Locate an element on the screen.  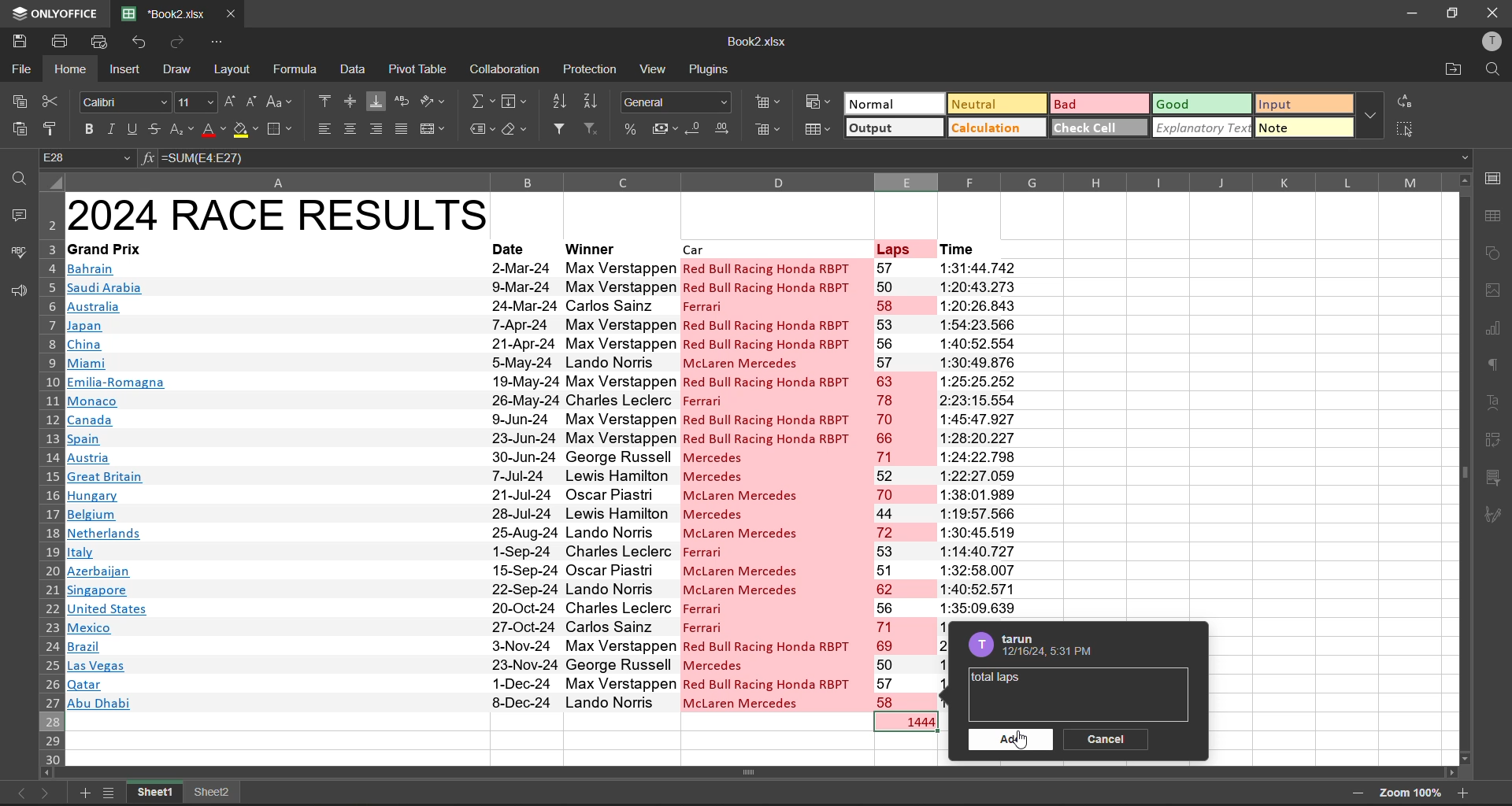
merge and center is located at coordinates (435, 130).